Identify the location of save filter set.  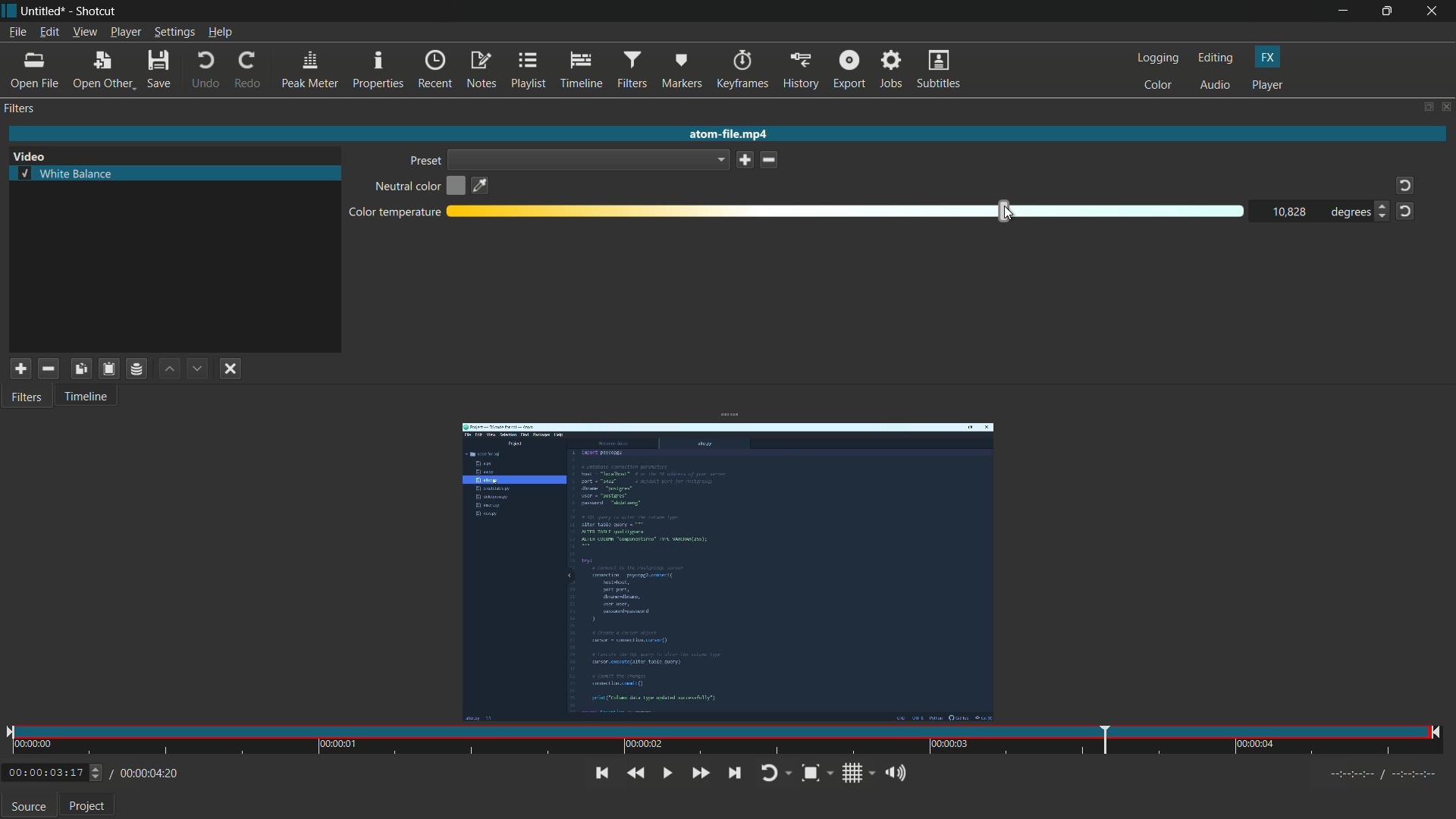
(137, 369).